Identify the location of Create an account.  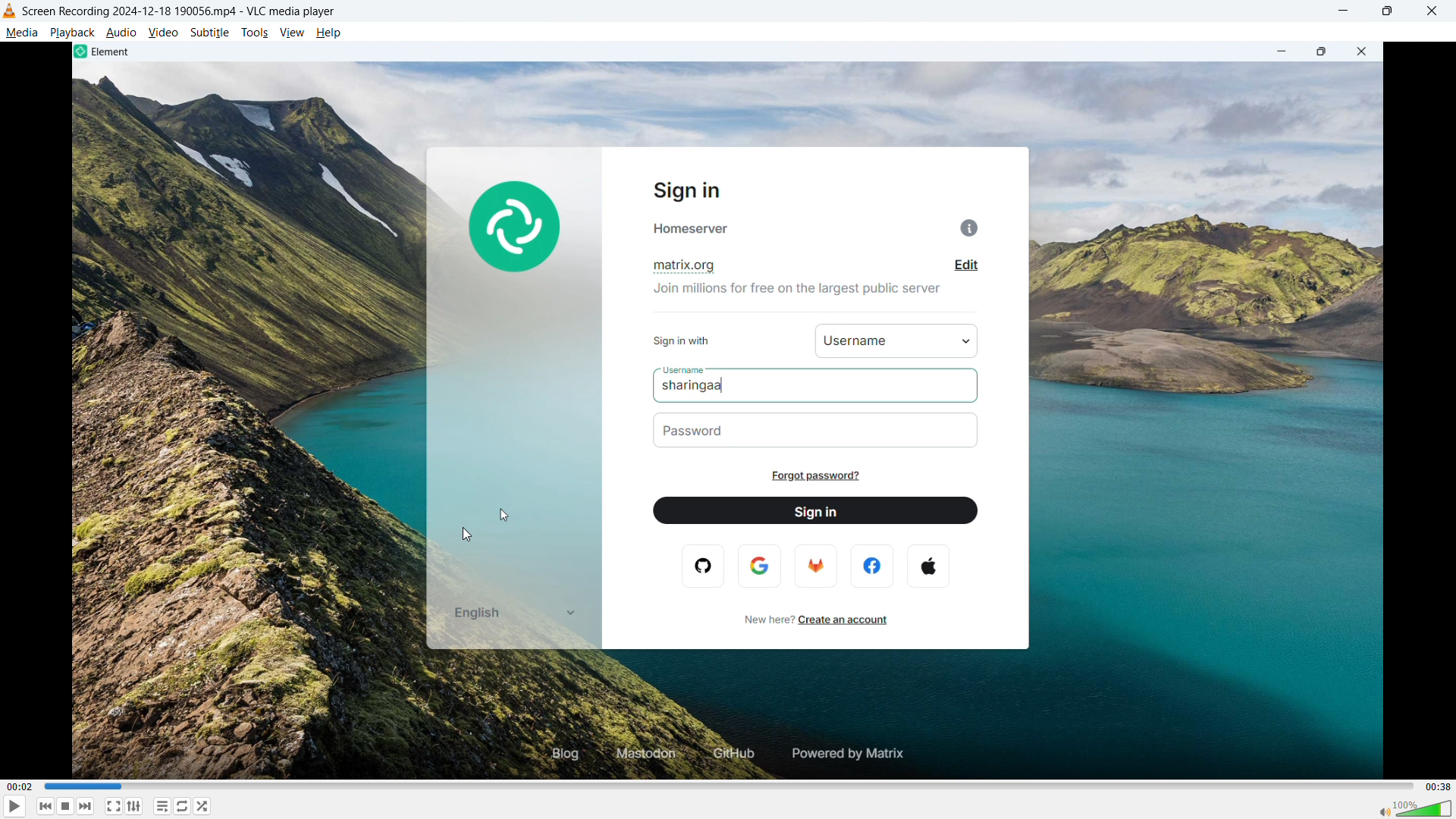
(849, 620).